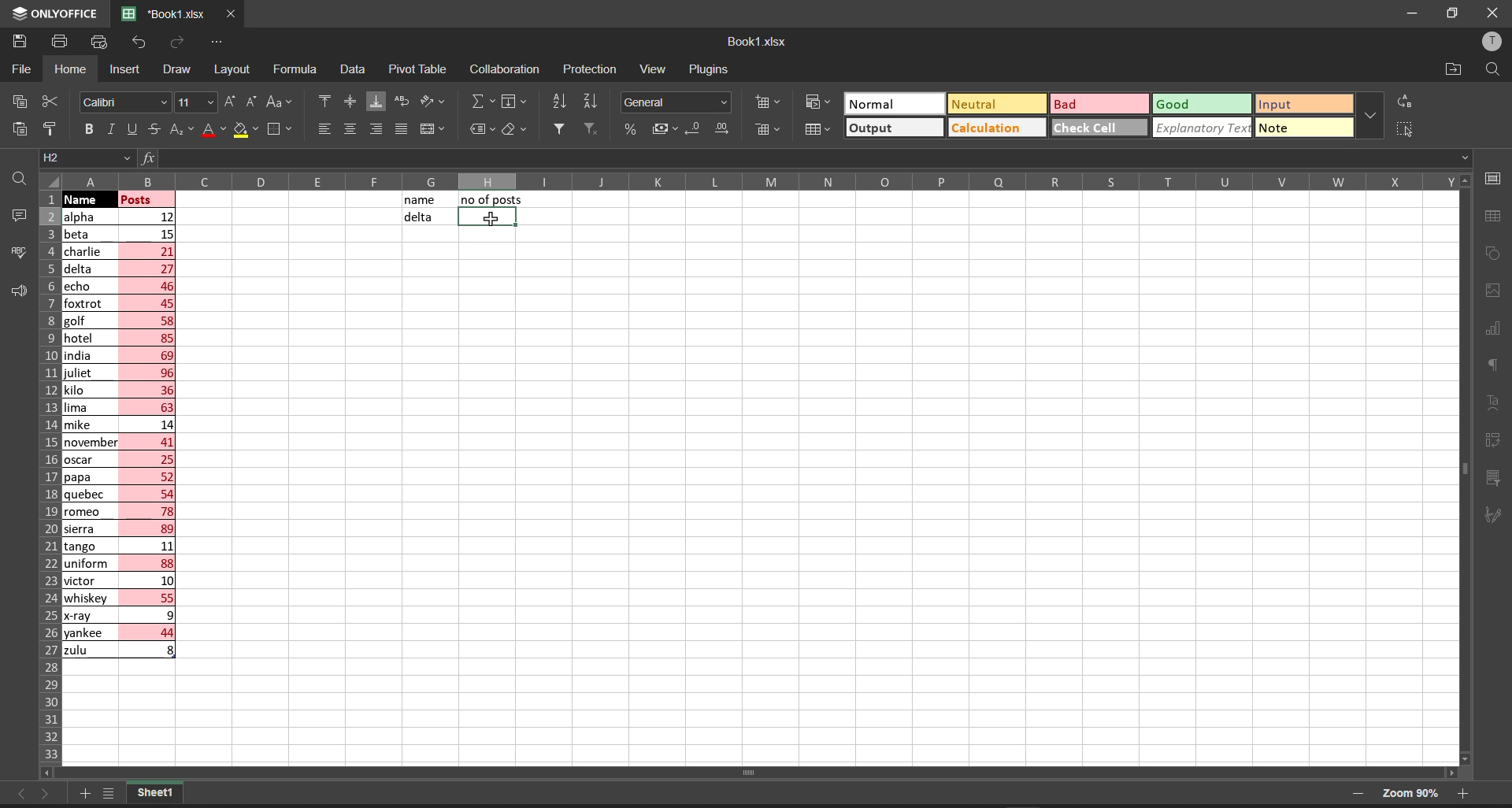 This screenshot has width=1512, height=808. Describe the element at coordinates (196, 102) in the screenshot. I see `font size` at that location.